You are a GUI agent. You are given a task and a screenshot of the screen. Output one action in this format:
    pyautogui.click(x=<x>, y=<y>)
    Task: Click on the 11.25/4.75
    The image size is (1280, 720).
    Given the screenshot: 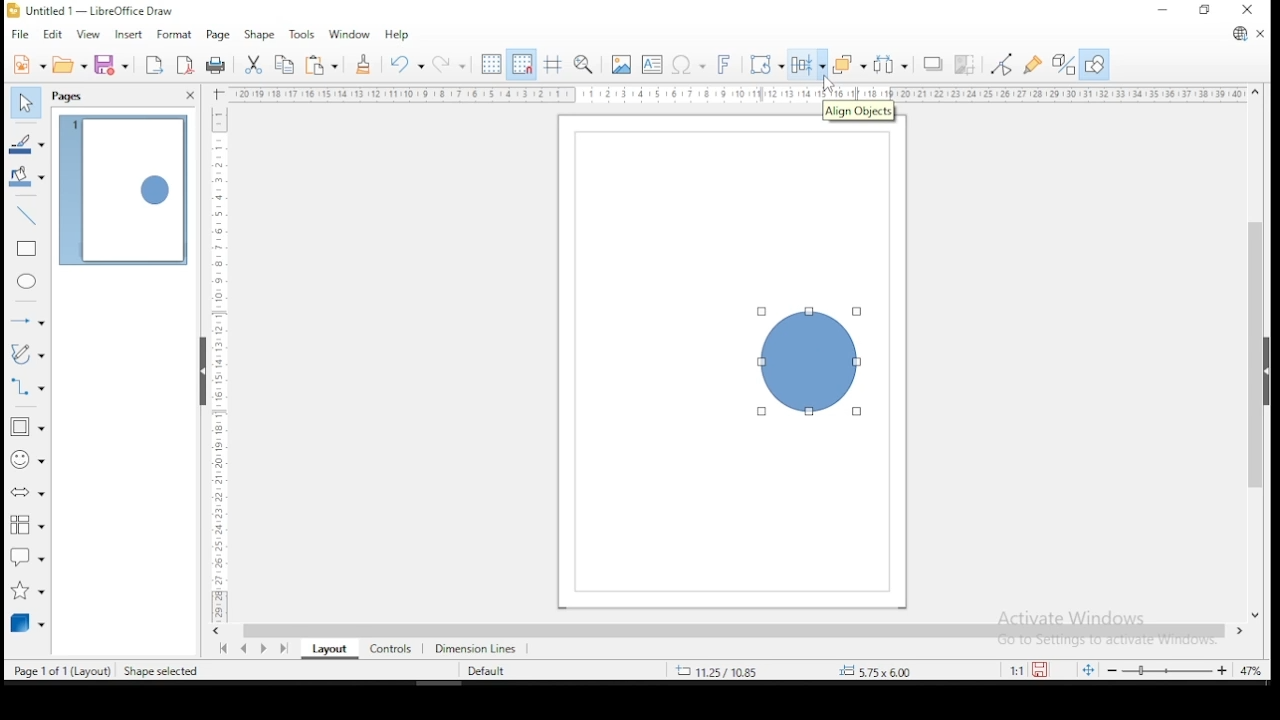 What is the action you would take?
    pyautogui.click(x=719, y=670)
    